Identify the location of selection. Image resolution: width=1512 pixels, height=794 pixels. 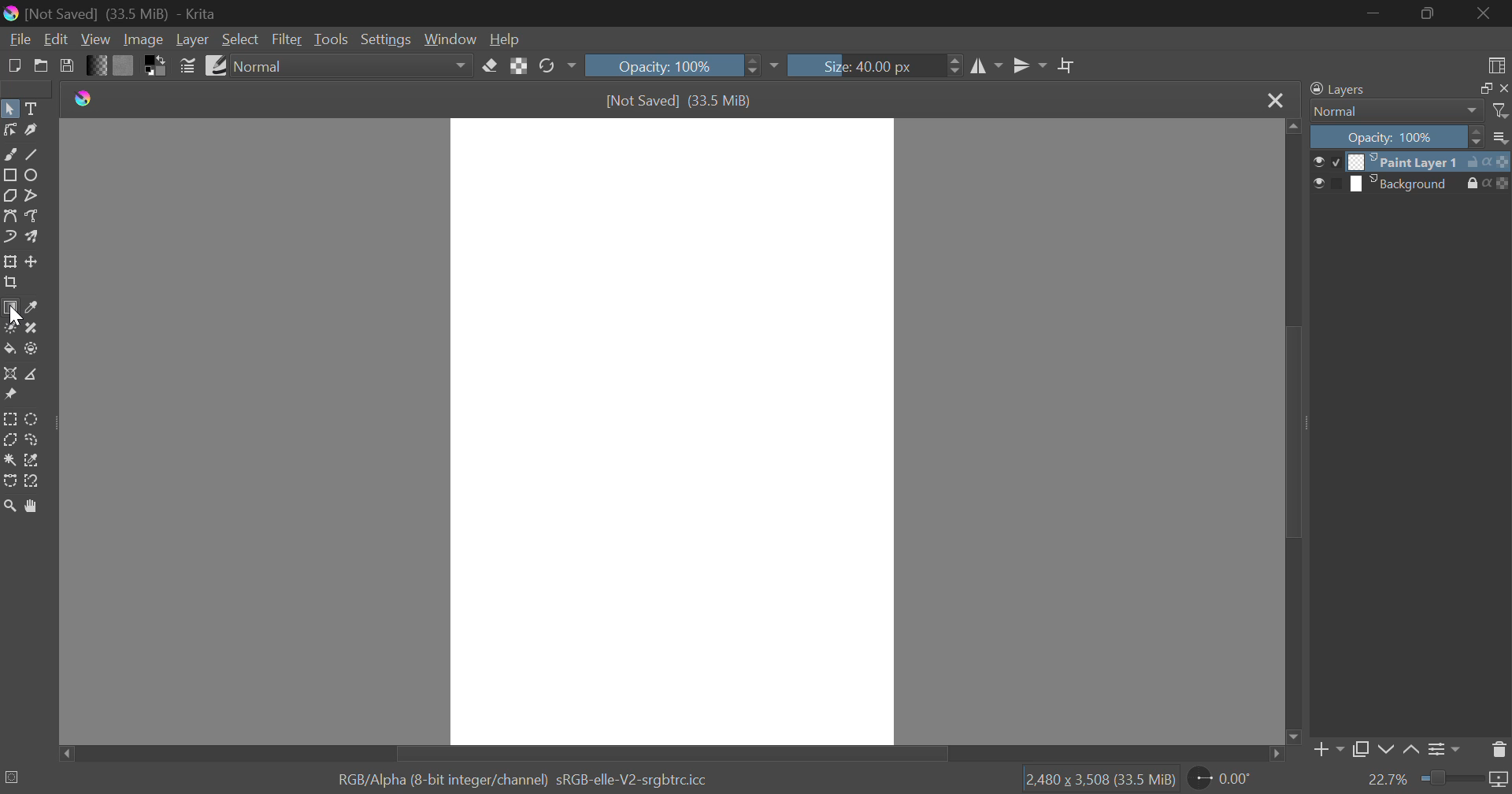
(13, 777).